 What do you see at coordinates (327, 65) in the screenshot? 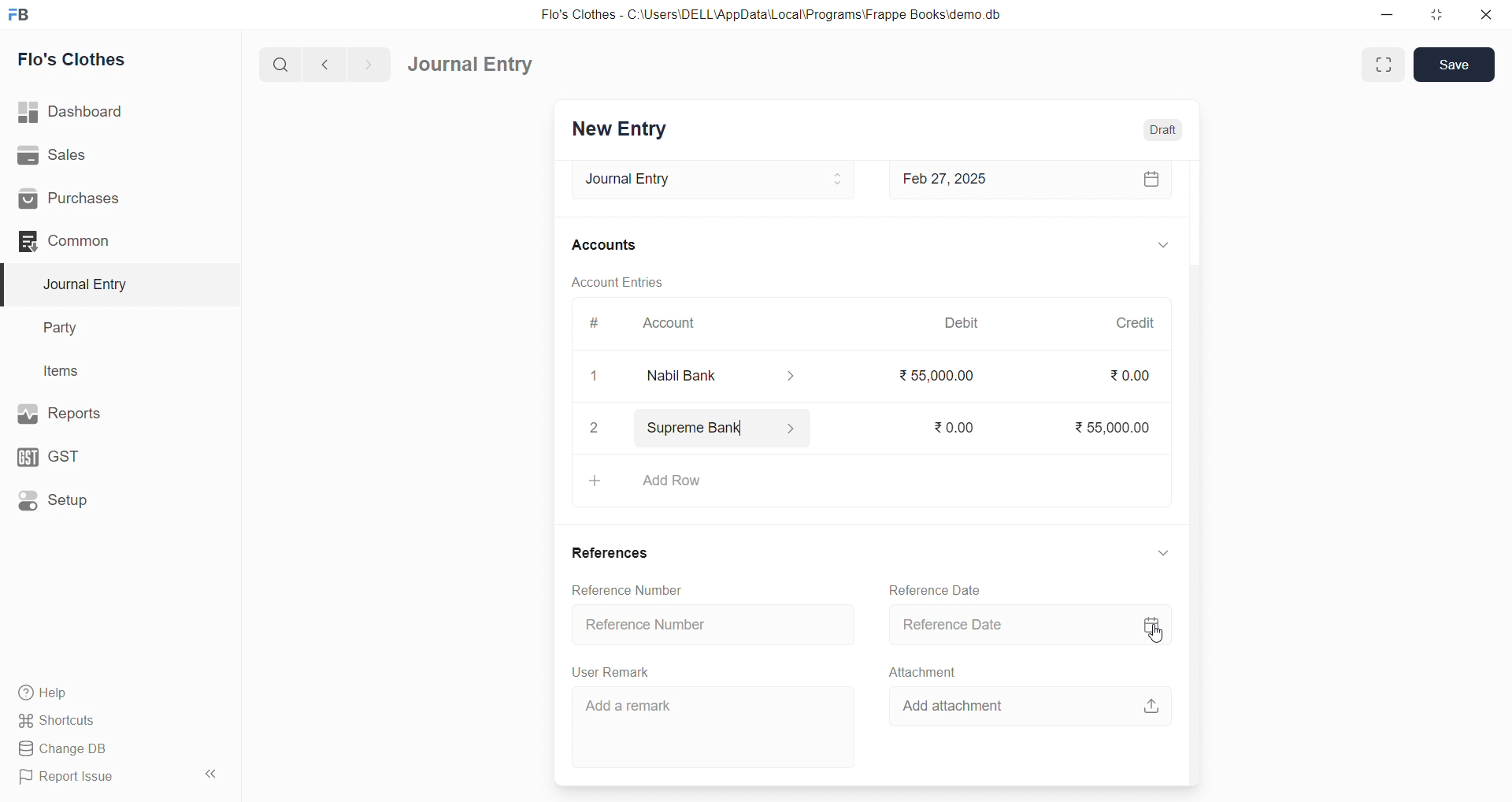
I see `navigate backward` at bounding box center [327, 65].